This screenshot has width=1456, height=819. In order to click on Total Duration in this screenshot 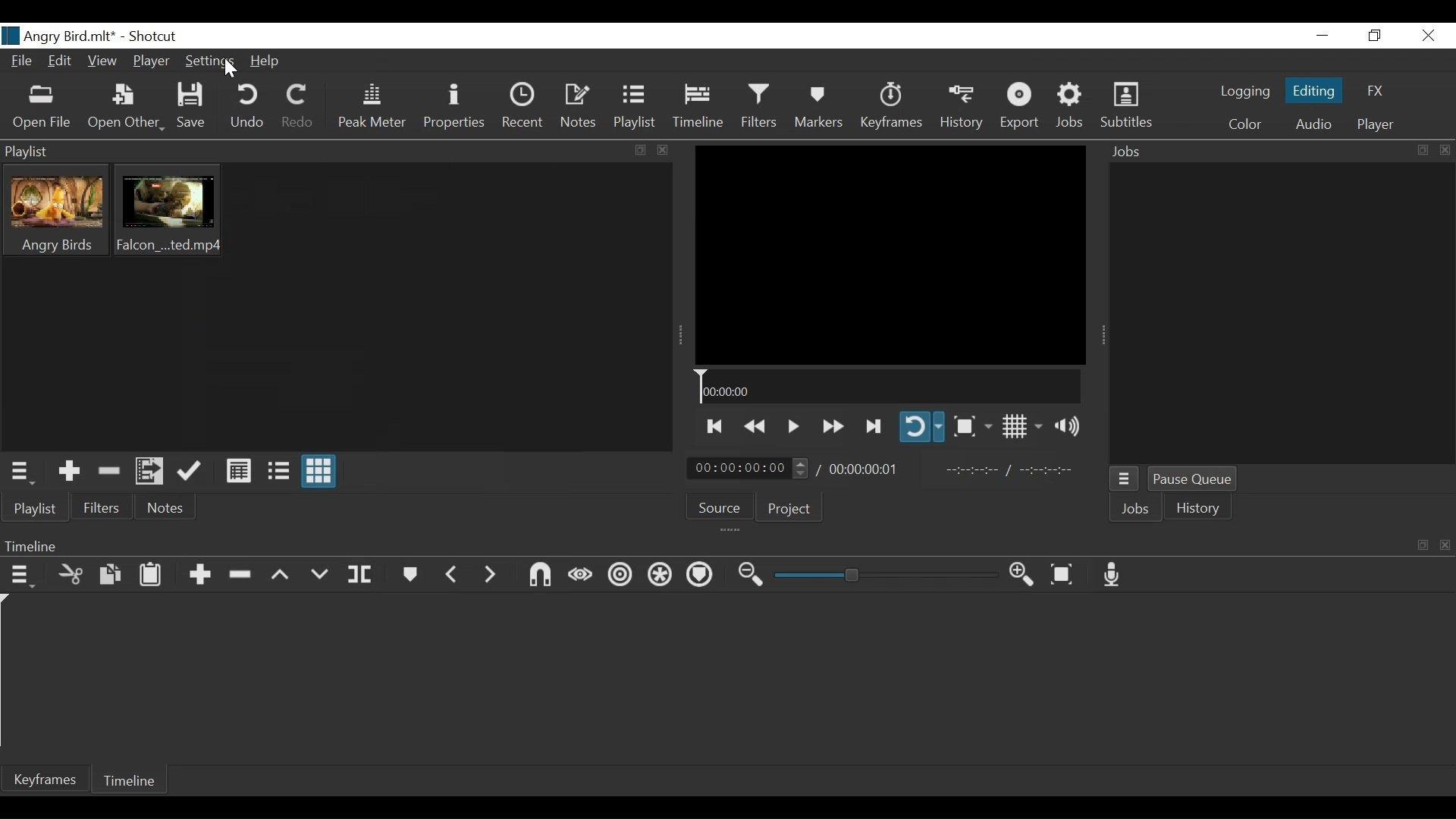, I will do `click(863, 468)`.